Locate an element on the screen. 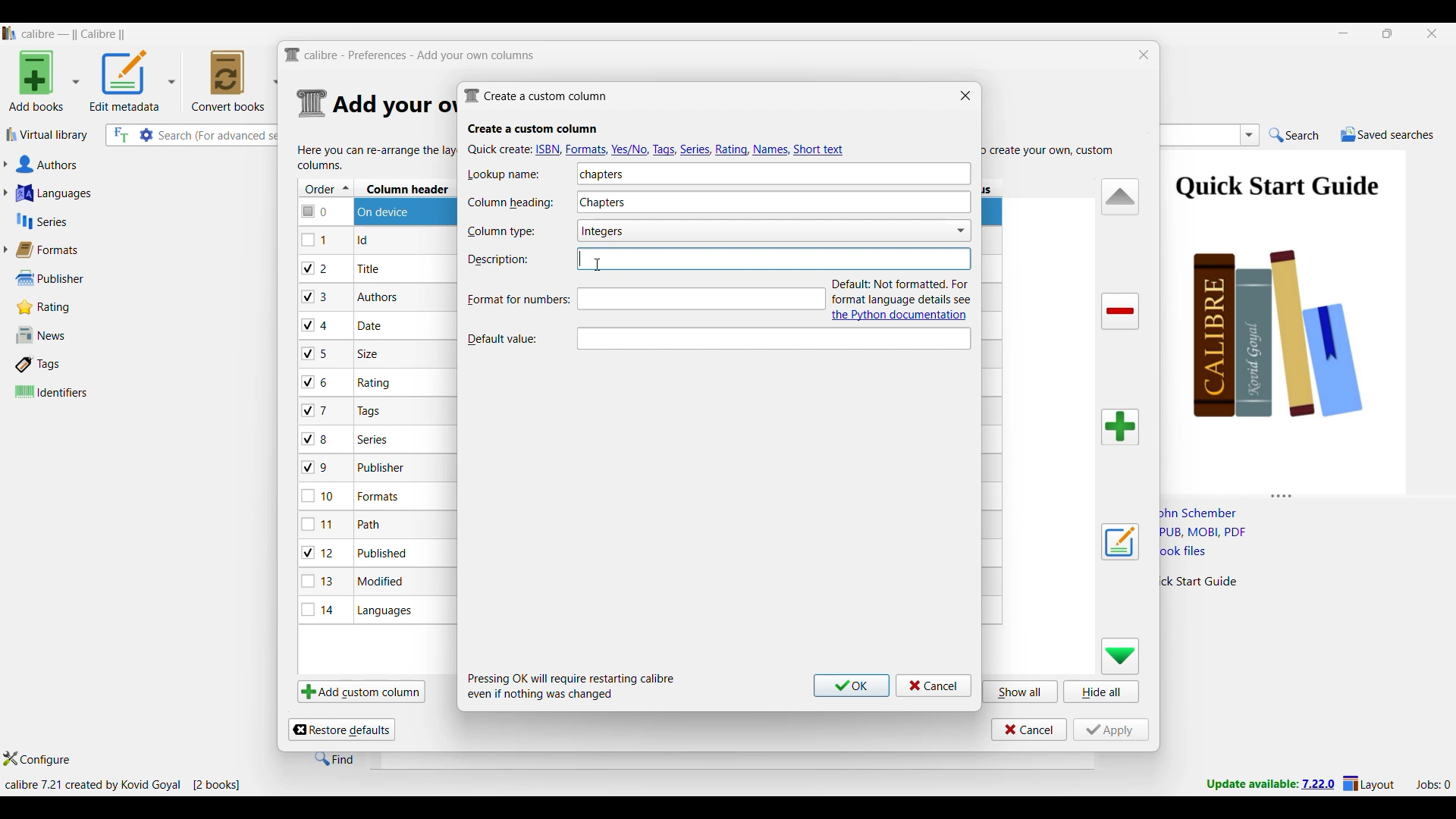  Current details of software is located at coordinates (122, 785).